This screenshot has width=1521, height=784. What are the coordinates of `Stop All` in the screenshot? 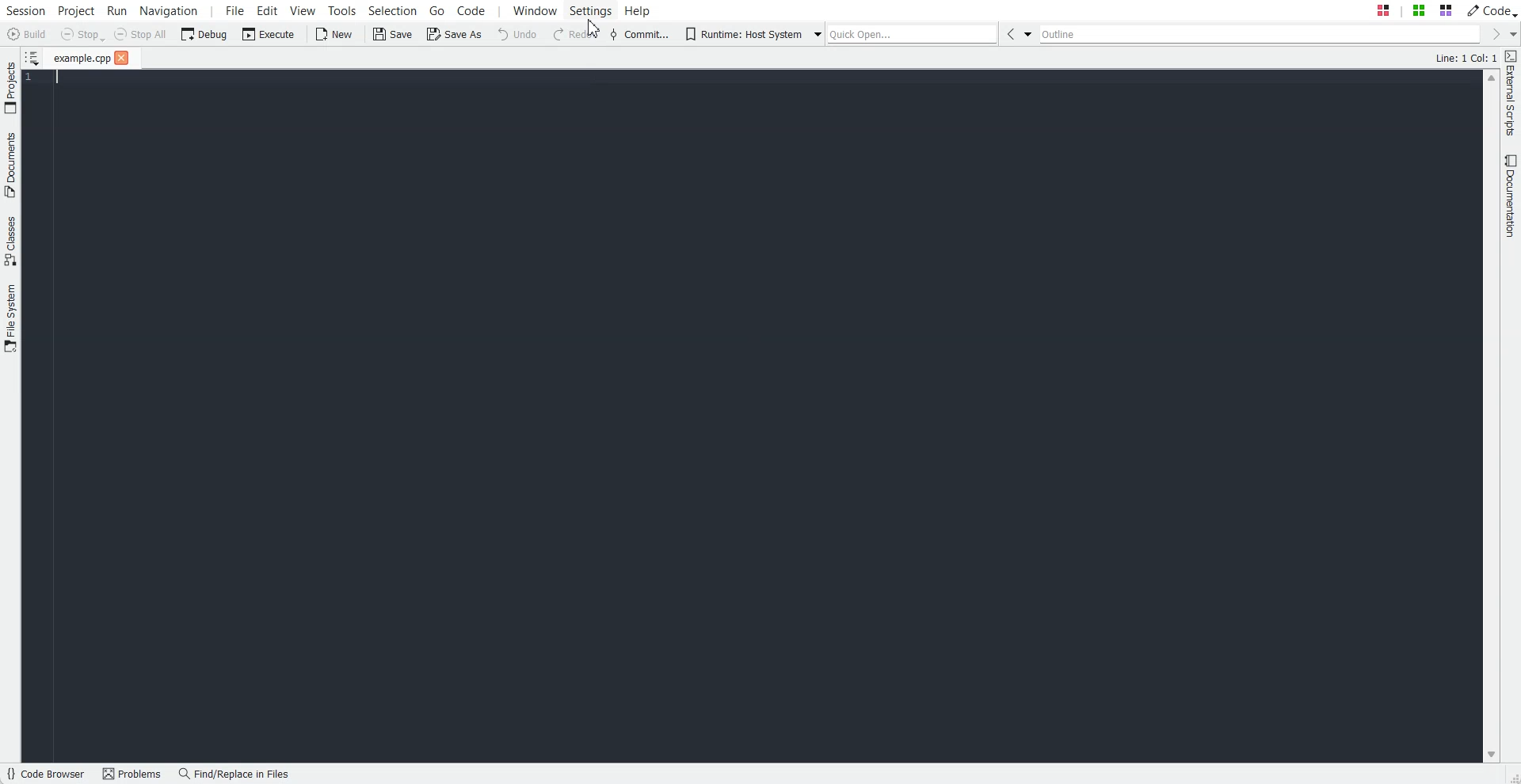 It's located at (139, 34).